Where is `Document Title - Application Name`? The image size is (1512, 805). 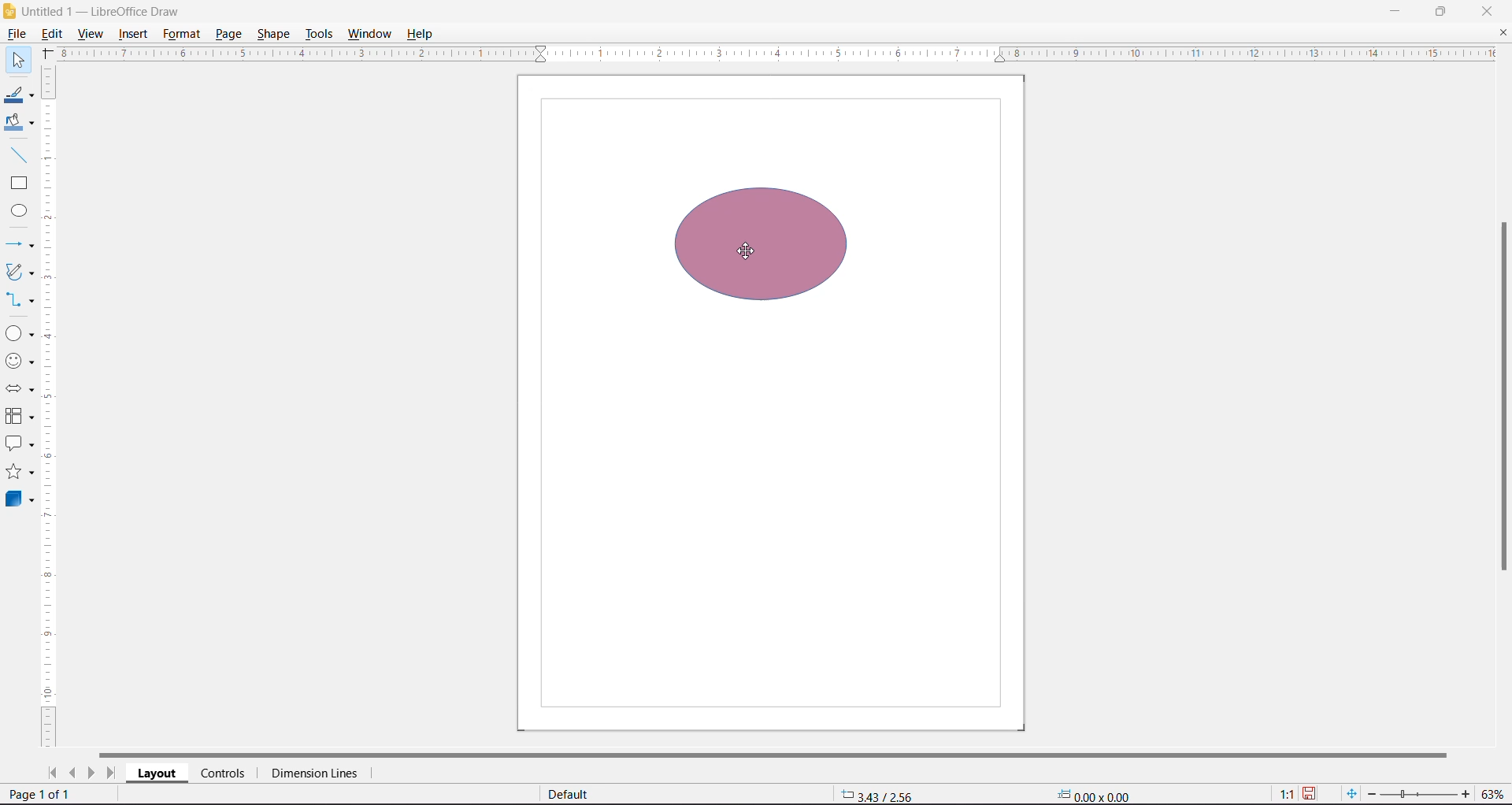
Document Title - Application Name is located at coordinates (119, 10).